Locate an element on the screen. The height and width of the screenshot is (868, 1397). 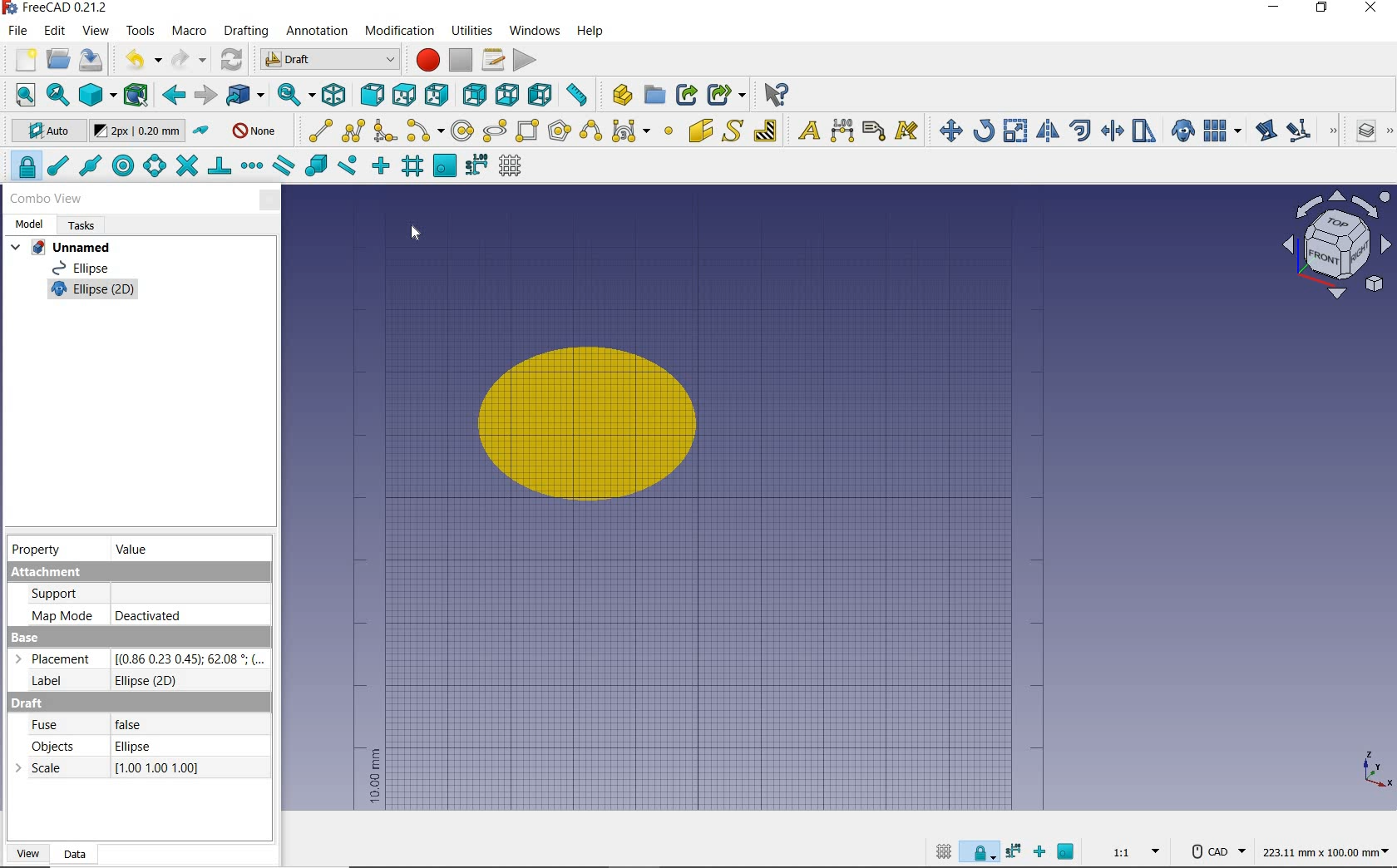
tools is located at coordinates (143, 32).